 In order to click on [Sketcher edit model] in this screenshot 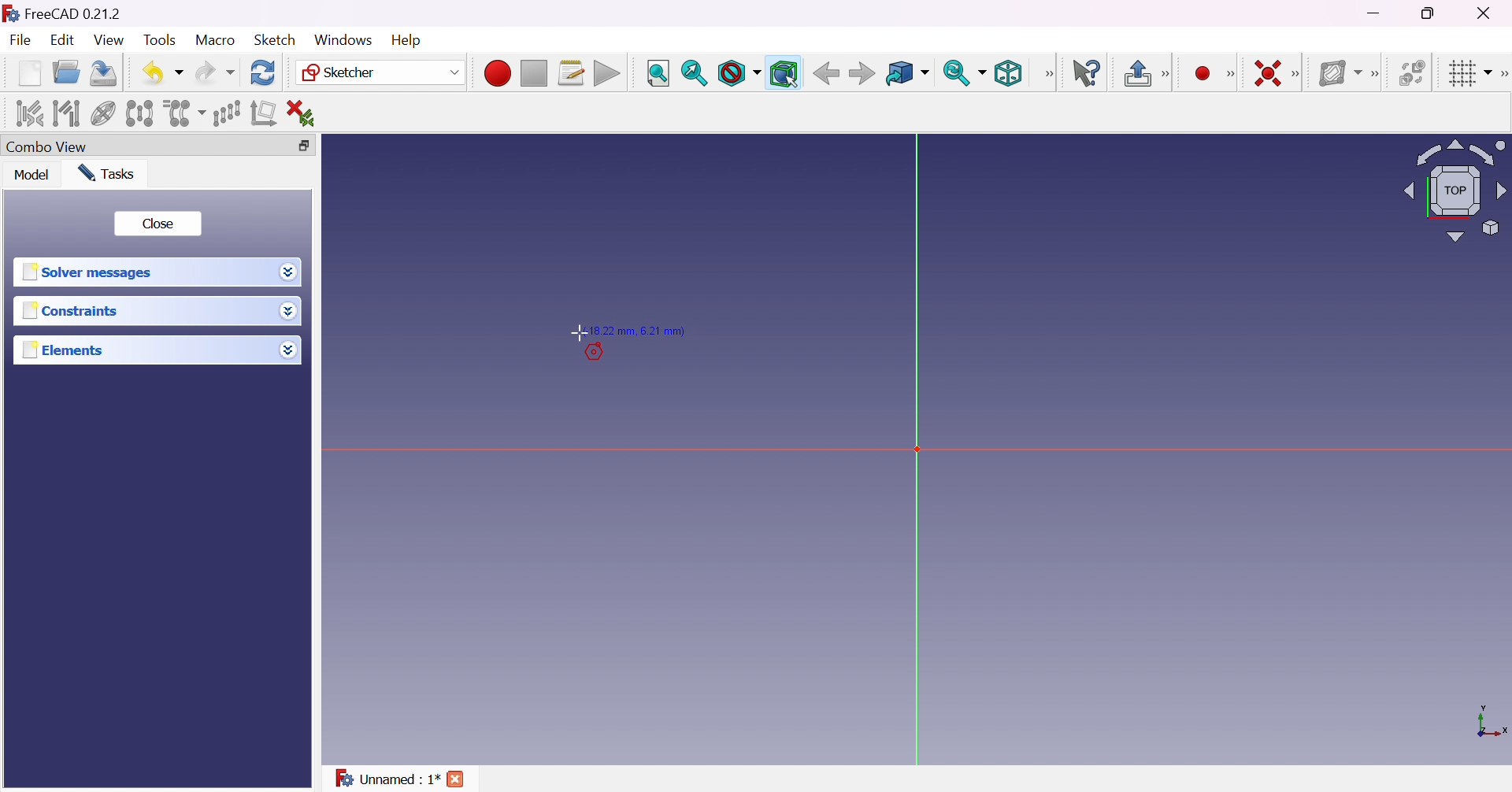, I will do `click(1167, 75)`.